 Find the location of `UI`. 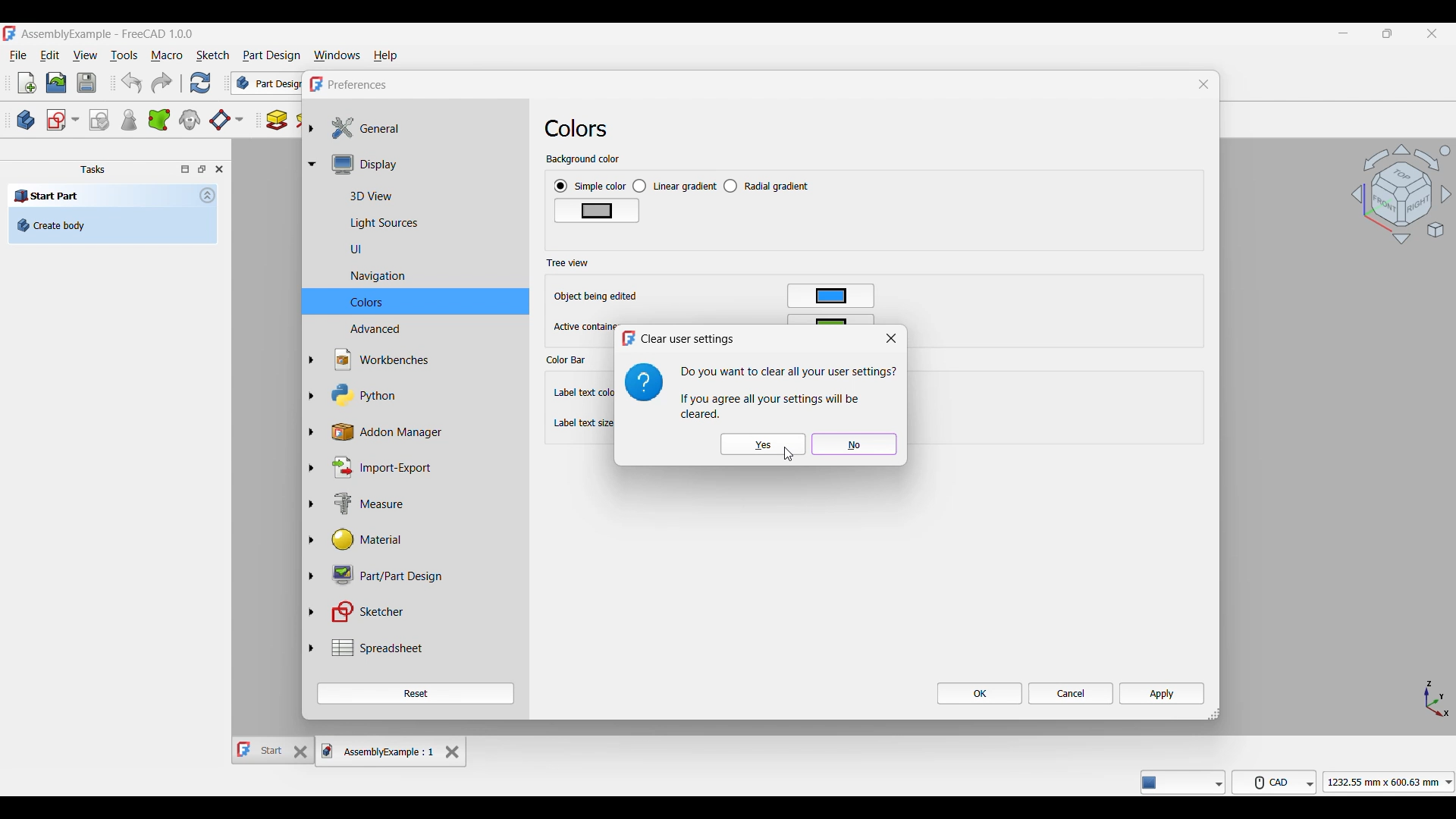

UI is located at coordinates (338, 249).